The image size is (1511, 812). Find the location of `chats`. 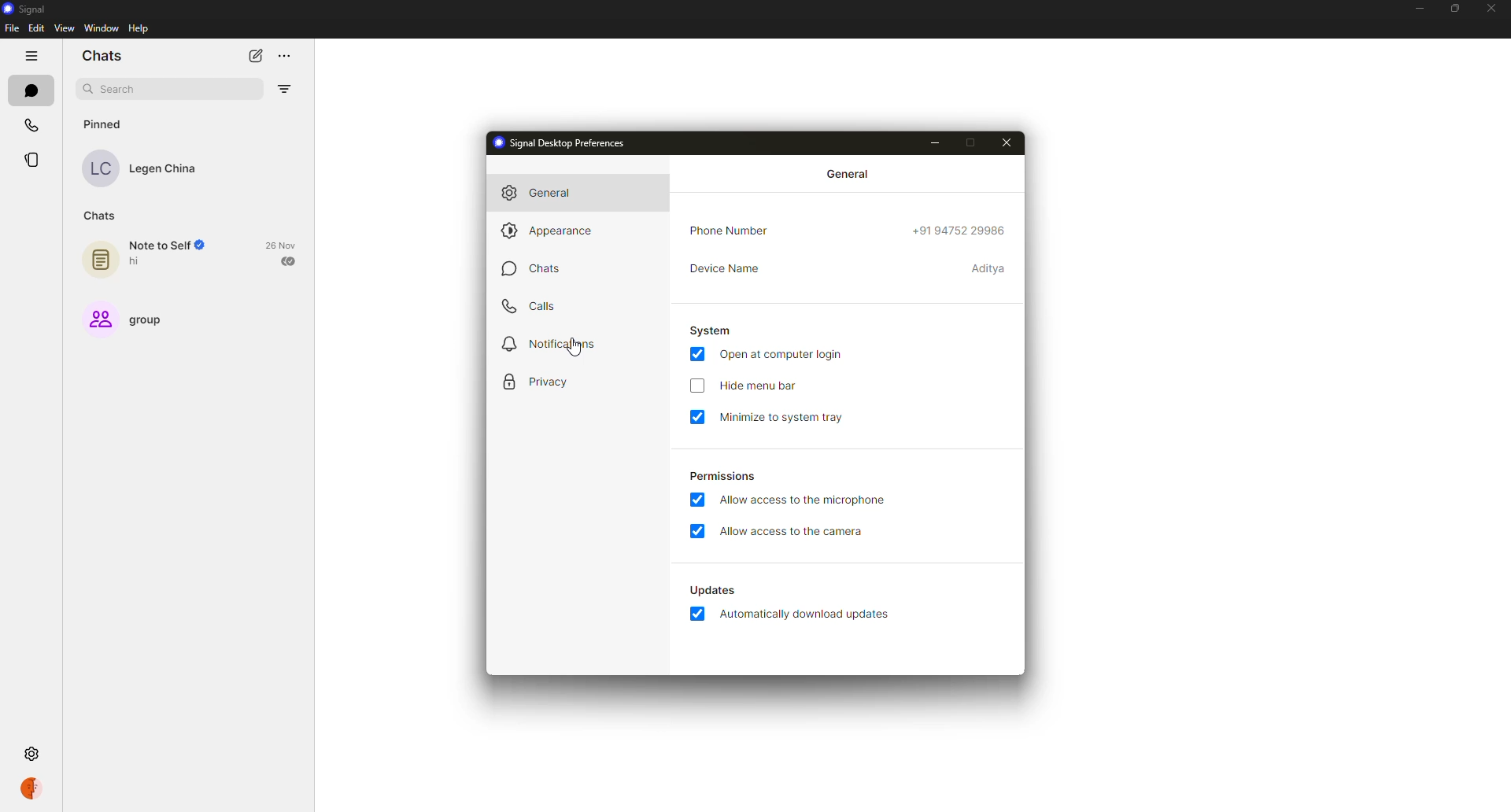

chats is located at coordinates (31, 90).